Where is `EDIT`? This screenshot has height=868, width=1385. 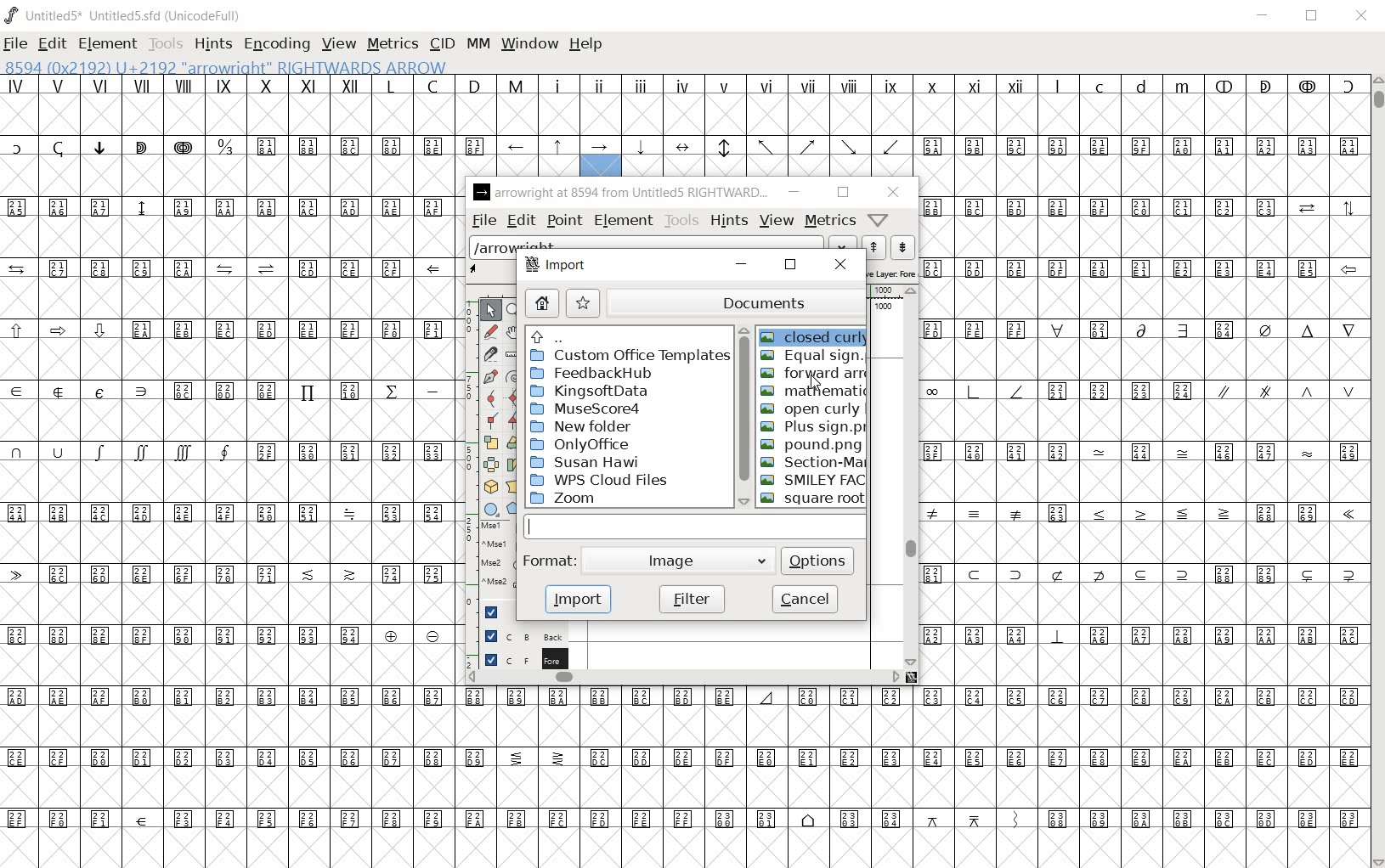 EDIT is located at coordinates (52, 45).